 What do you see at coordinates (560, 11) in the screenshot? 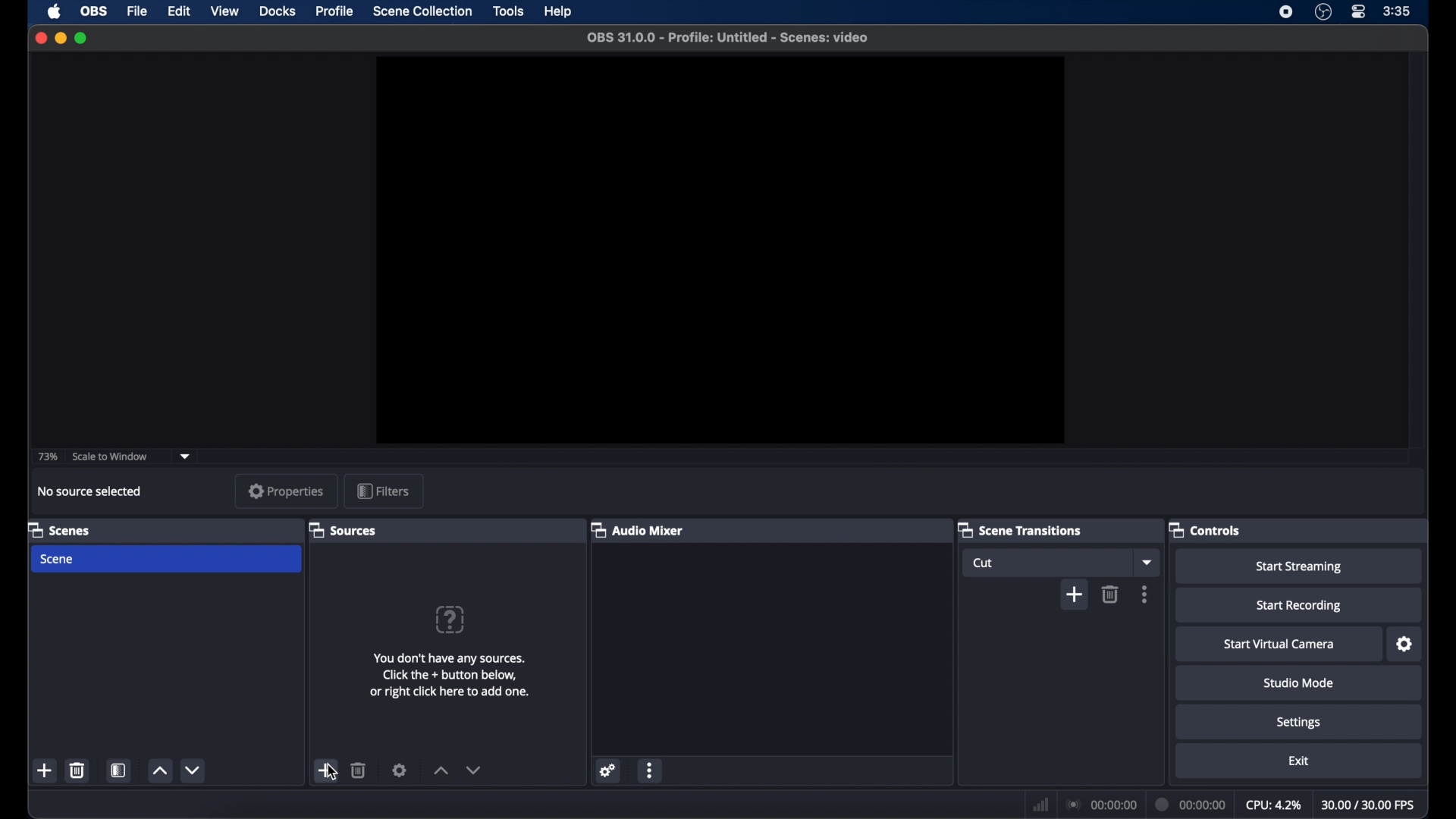
I see `help` at bounding box center [560, 11].